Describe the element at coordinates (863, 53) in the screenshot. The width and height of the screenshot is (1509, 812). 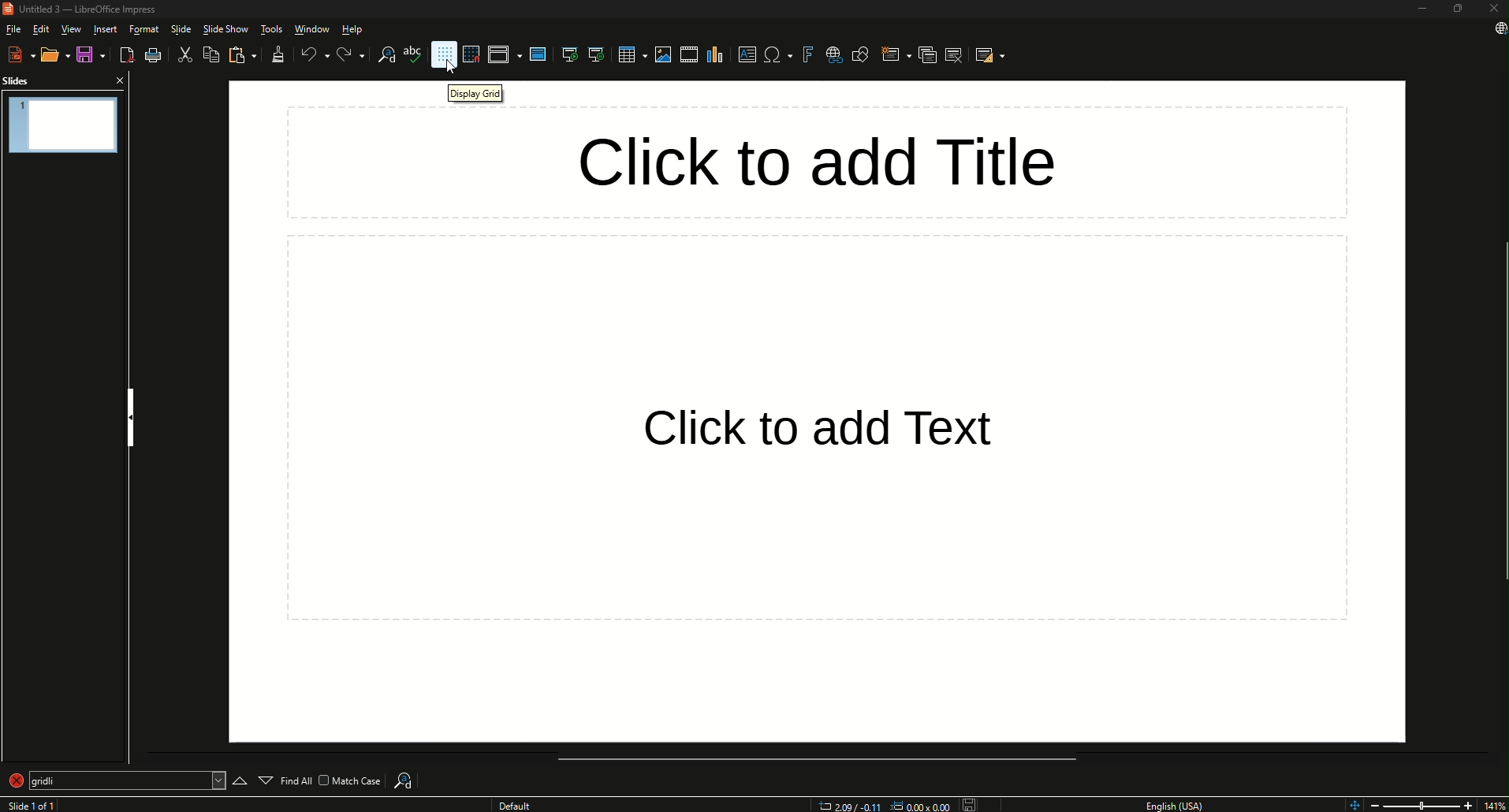
I see `Draw function` at that location.